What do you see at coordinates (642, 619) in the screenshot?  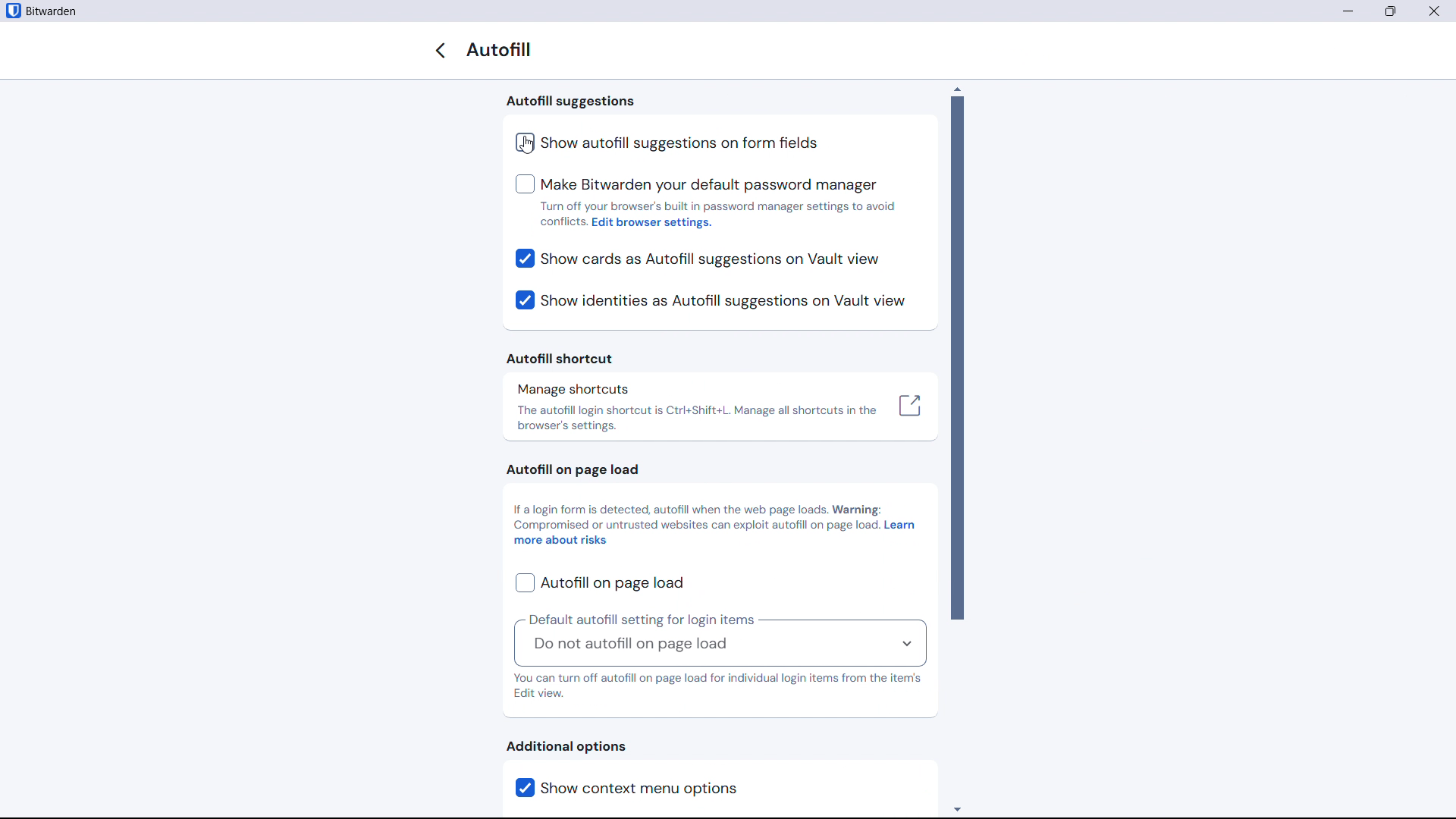 I see `Default autofield settings for login items` at bounding box center [642, 619].